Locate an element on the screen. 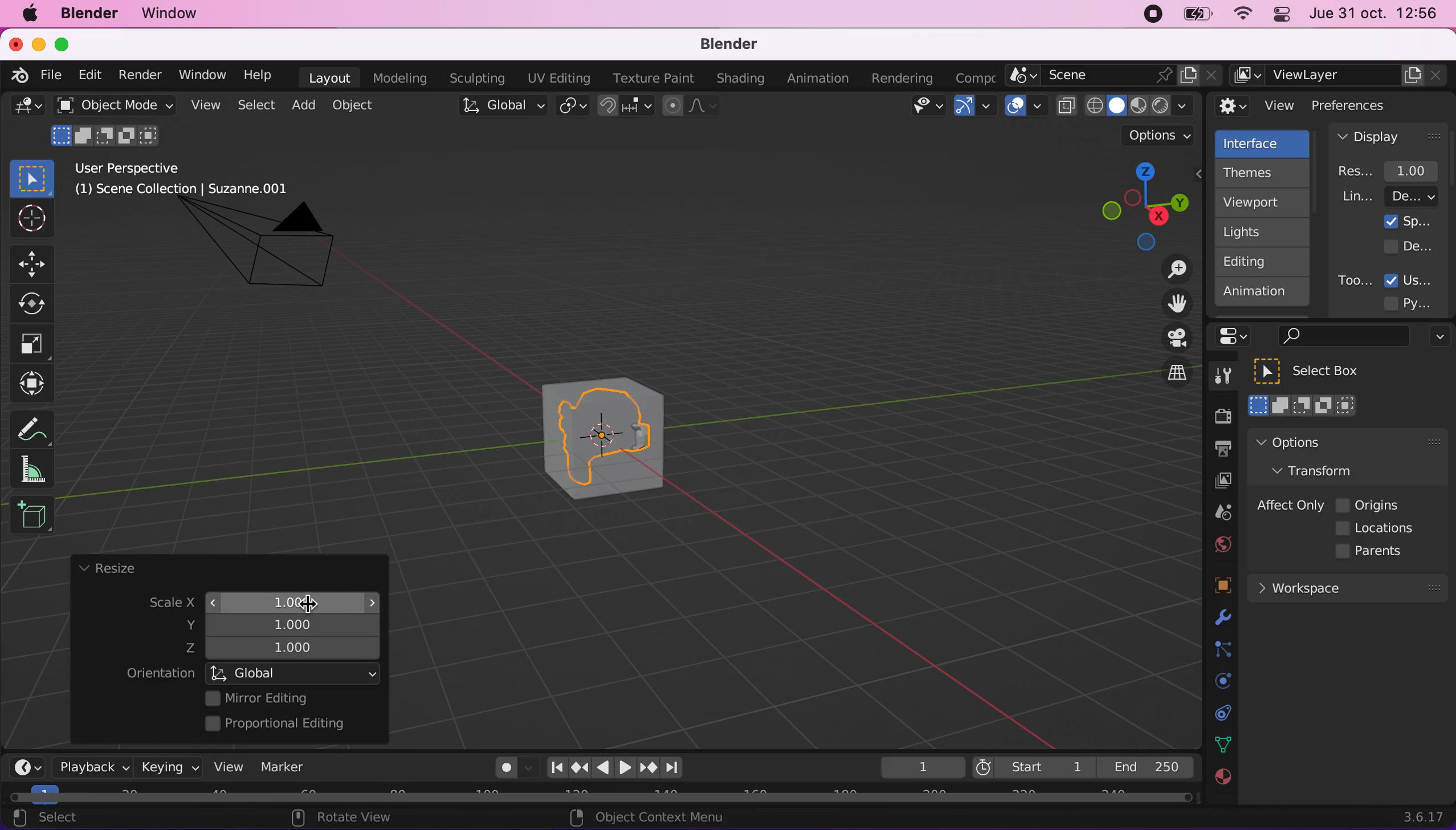 This screenshot has width=1456, height=830. editor type is located at coordinates (23, 758).